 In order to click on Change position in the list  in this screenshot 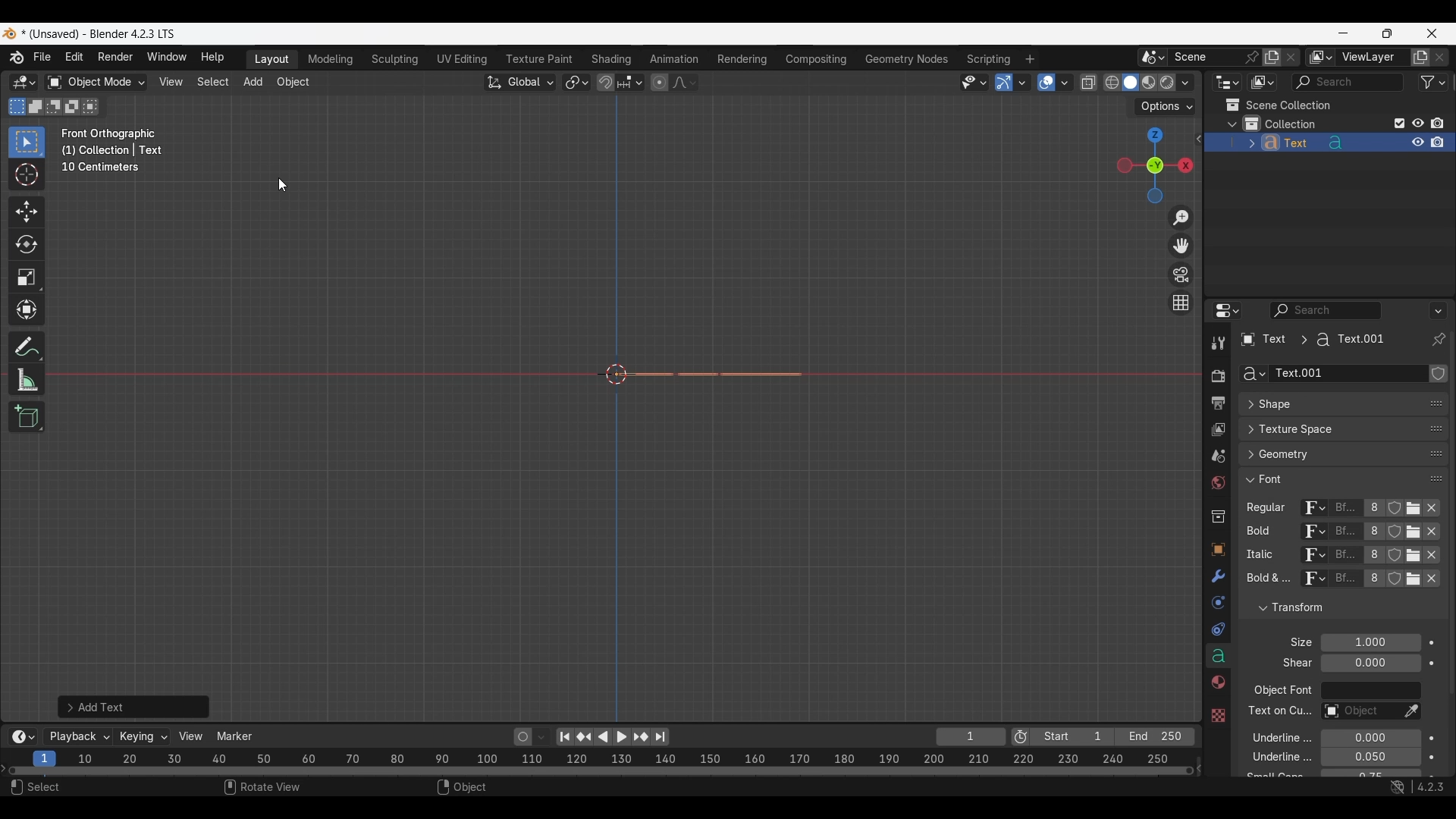, I will do `click(1436, 475)`.